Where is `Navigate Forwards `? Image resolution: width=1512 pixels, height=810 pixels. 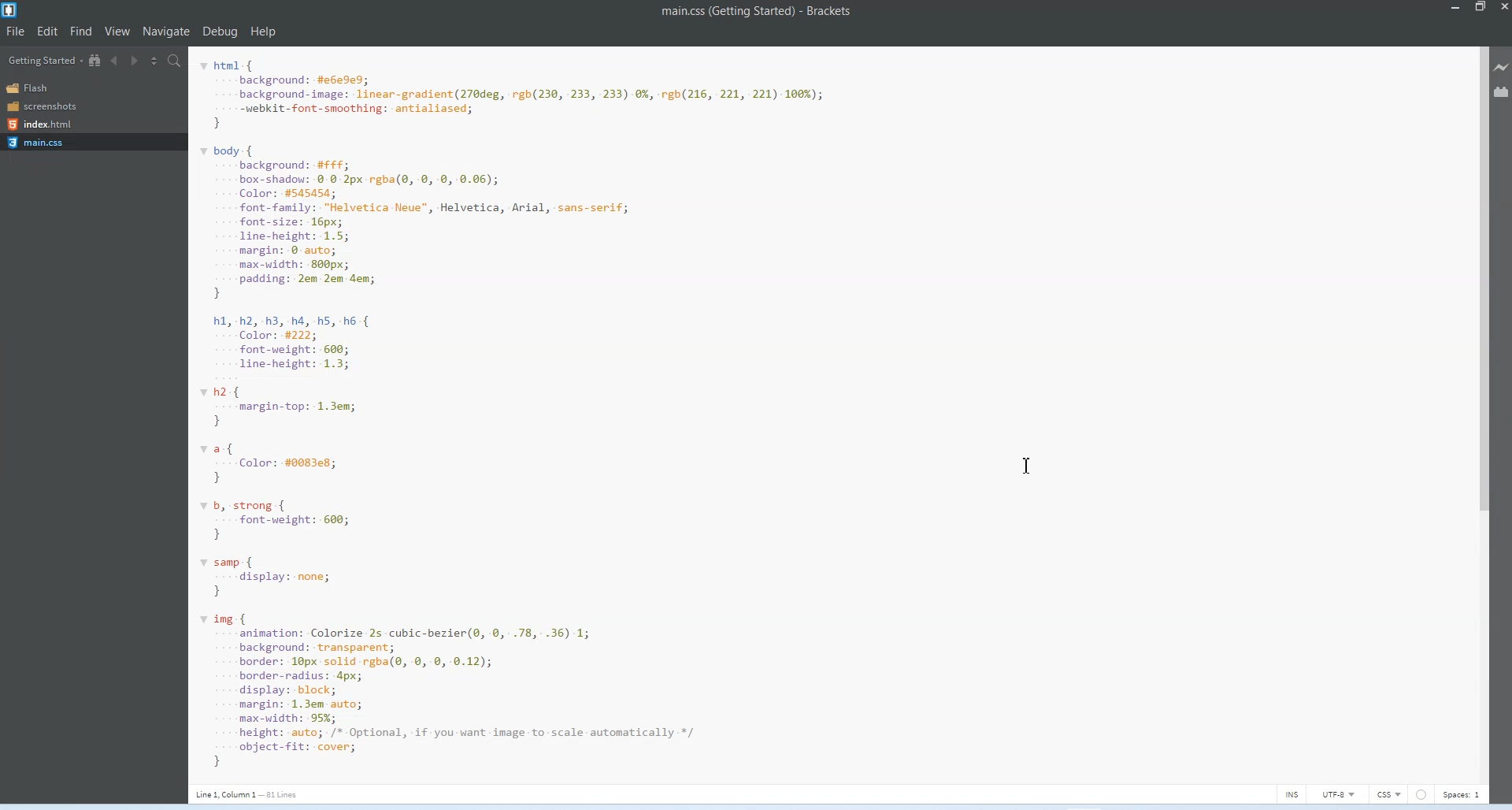
Navigate Forwards  is located at coordinates (135, 60).